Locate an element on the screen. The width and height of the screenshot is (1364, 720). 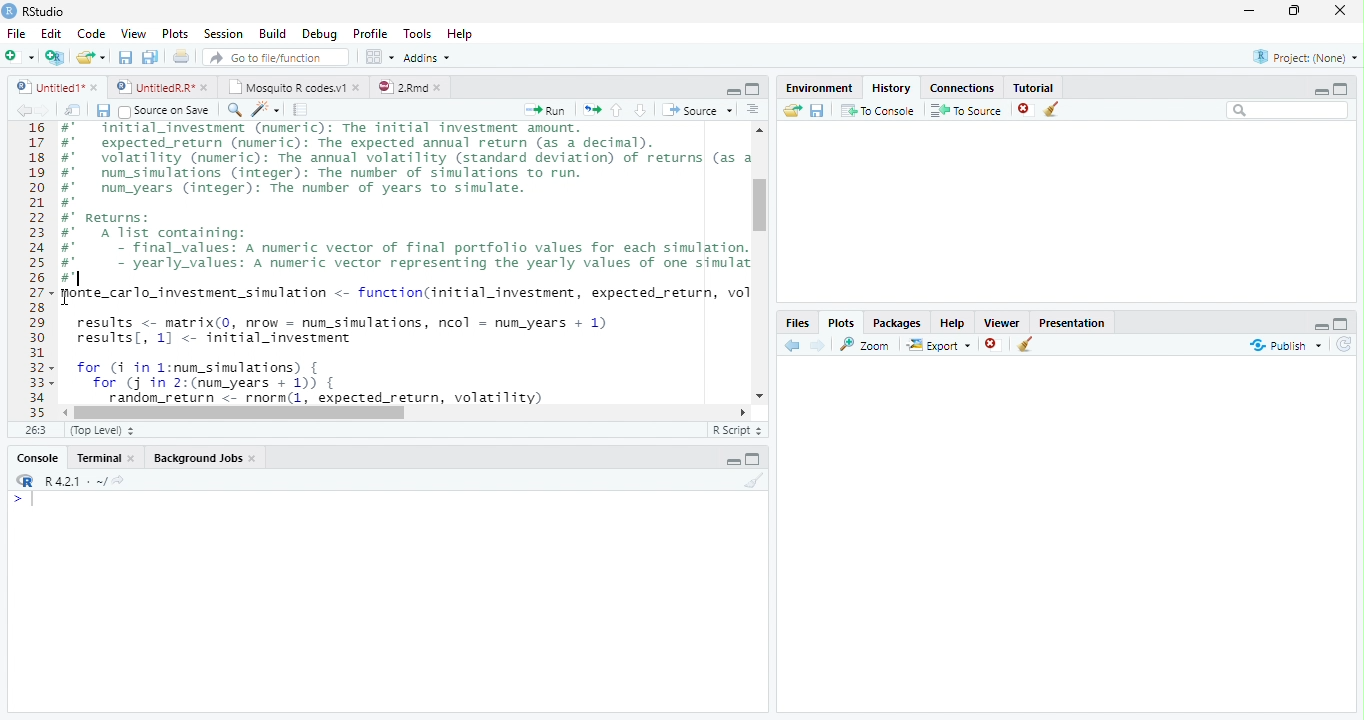
Save current file is located at coordinates (124, 57).